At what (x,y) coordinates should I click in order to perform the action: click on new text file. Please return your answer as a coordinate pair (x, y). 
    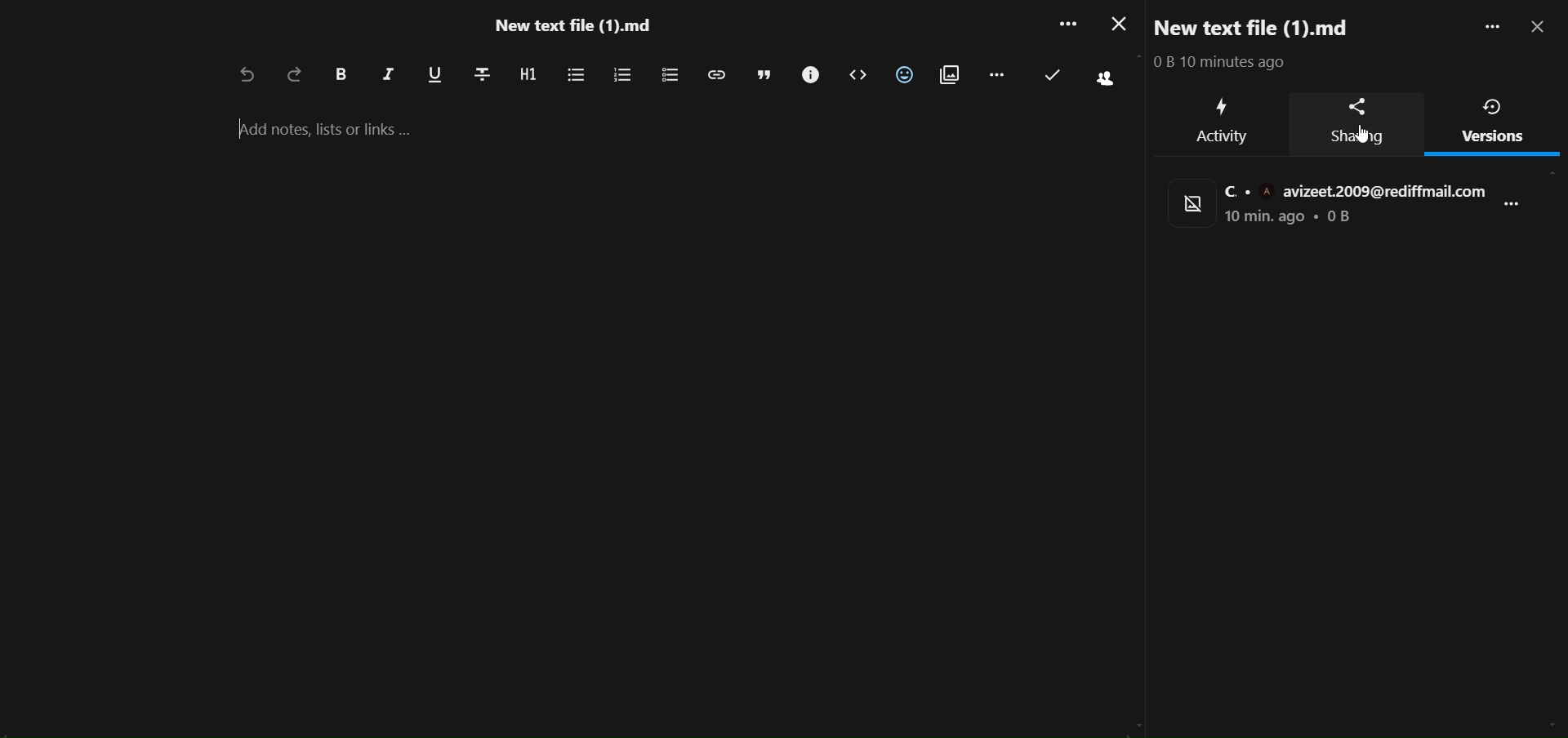
    Looking at the image, I should click on (1270, 27).